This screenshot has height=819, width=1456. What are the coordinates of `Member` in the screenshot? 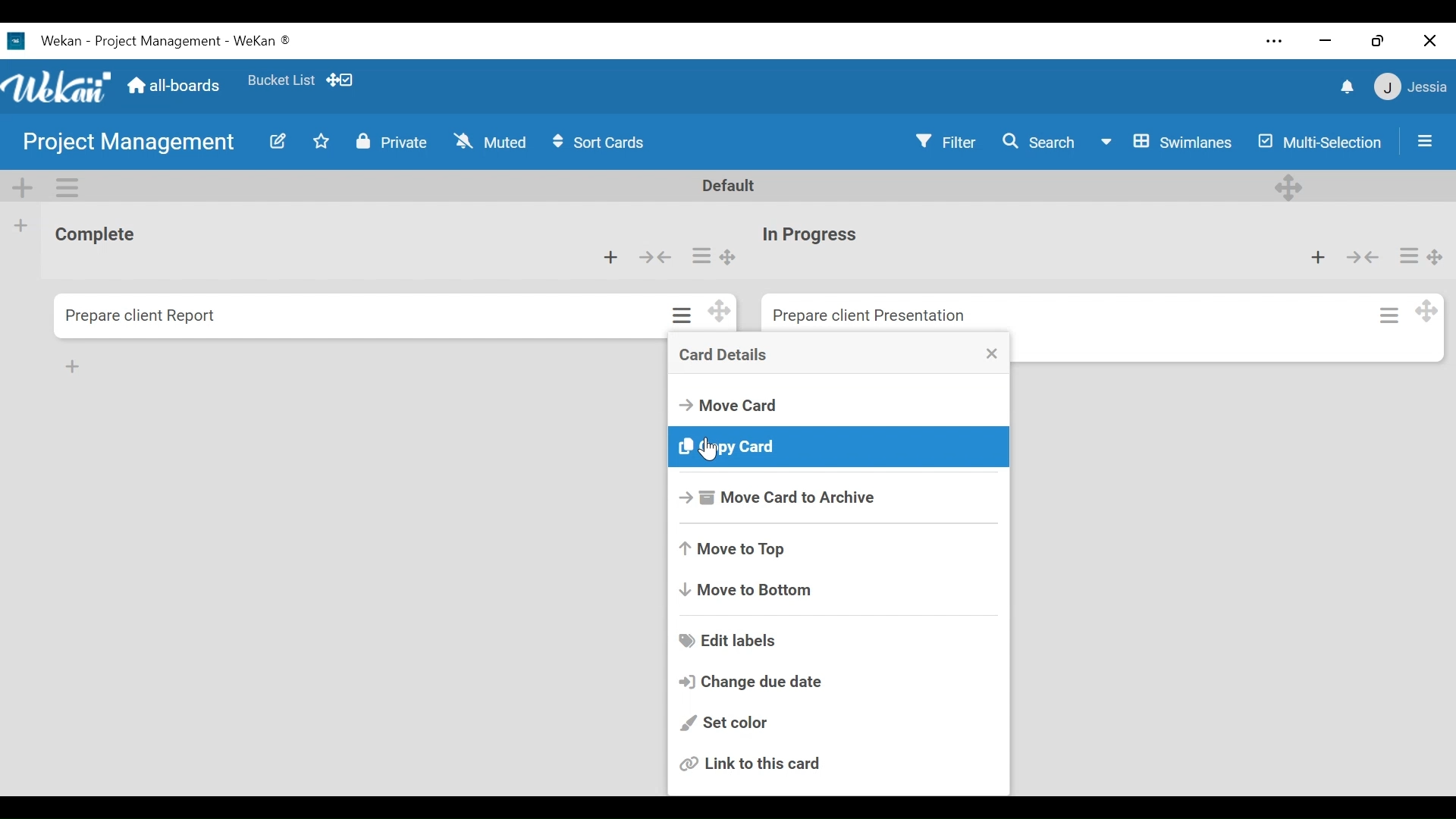 It's located at (1411, 86).